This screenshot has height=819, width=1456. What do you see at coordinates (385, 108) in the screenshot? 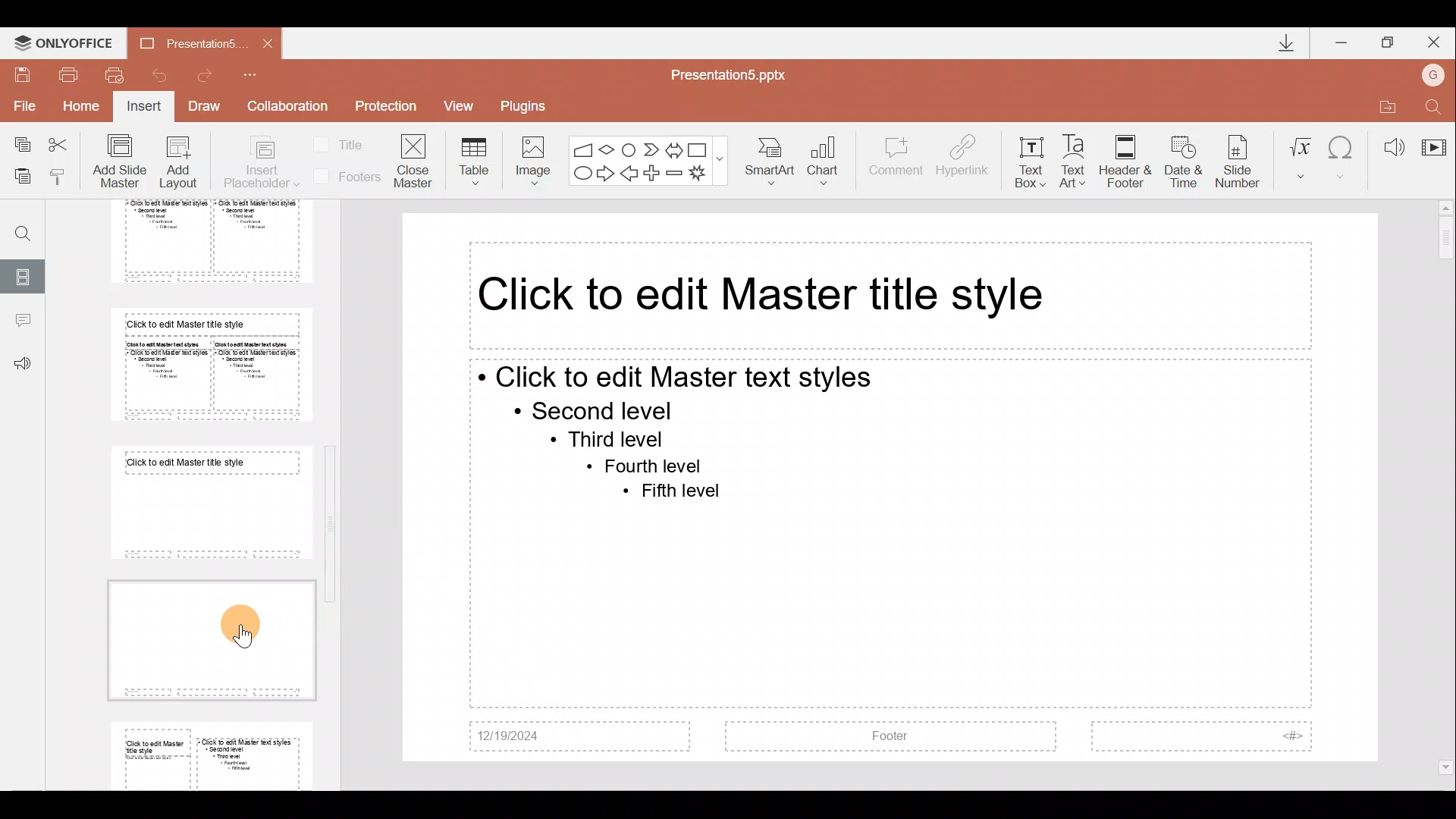
I see `Protection` at bounding box center [385, 108].